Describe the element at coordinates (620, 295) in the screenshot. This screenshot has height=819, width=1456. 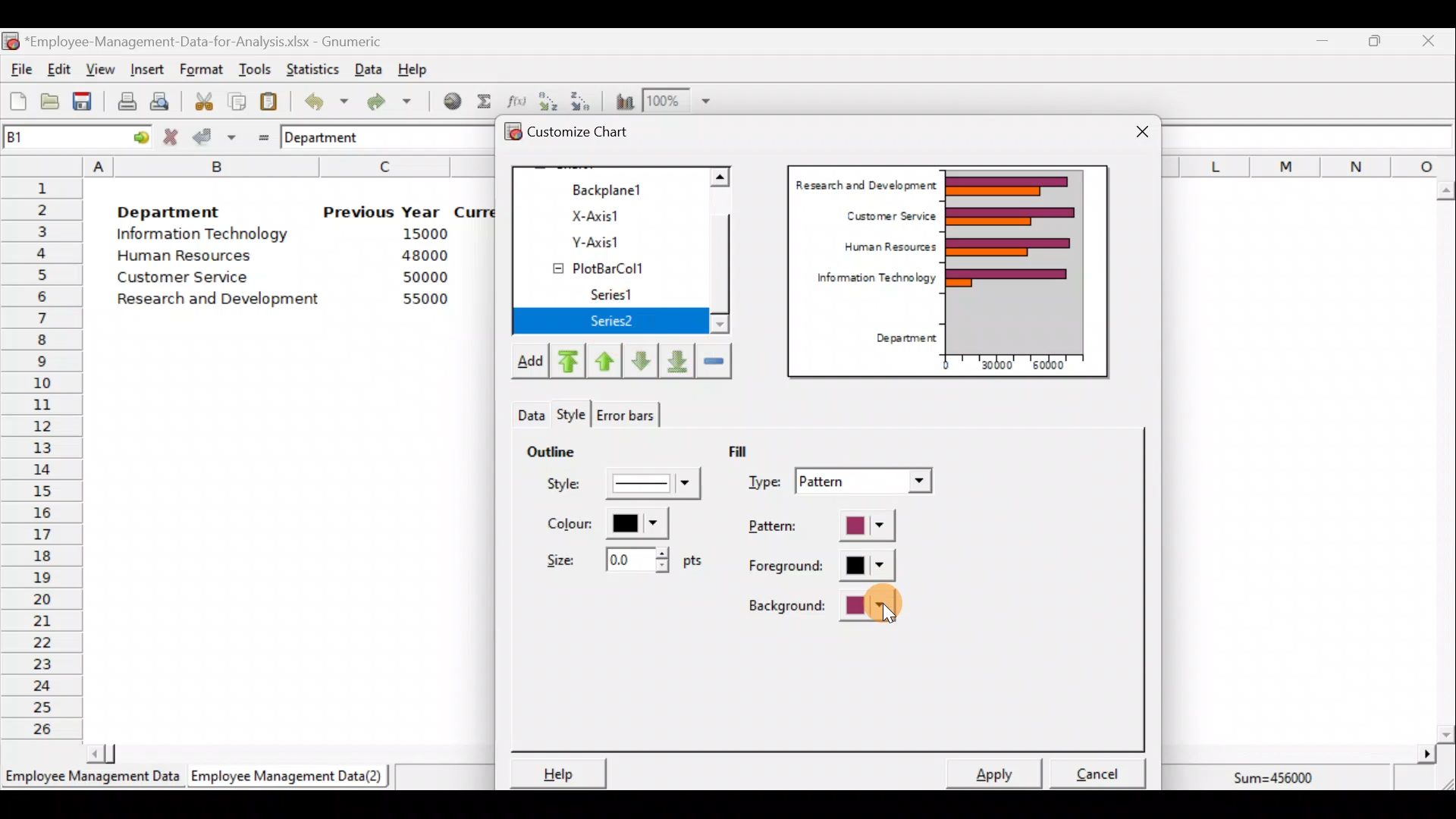
I see `Series1` at that location.